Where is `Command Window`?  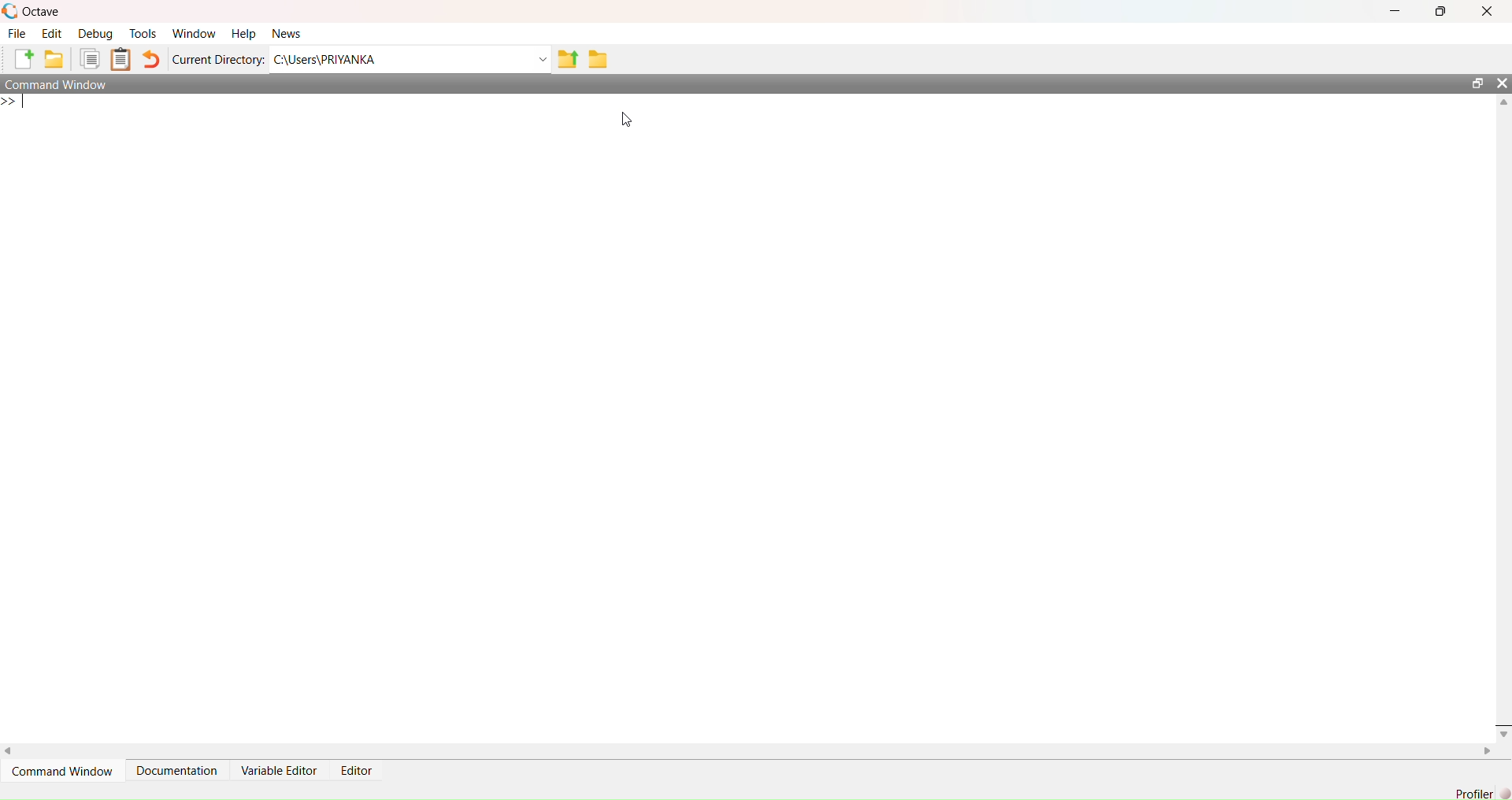
Command Window is located at coordinates (61, 770).